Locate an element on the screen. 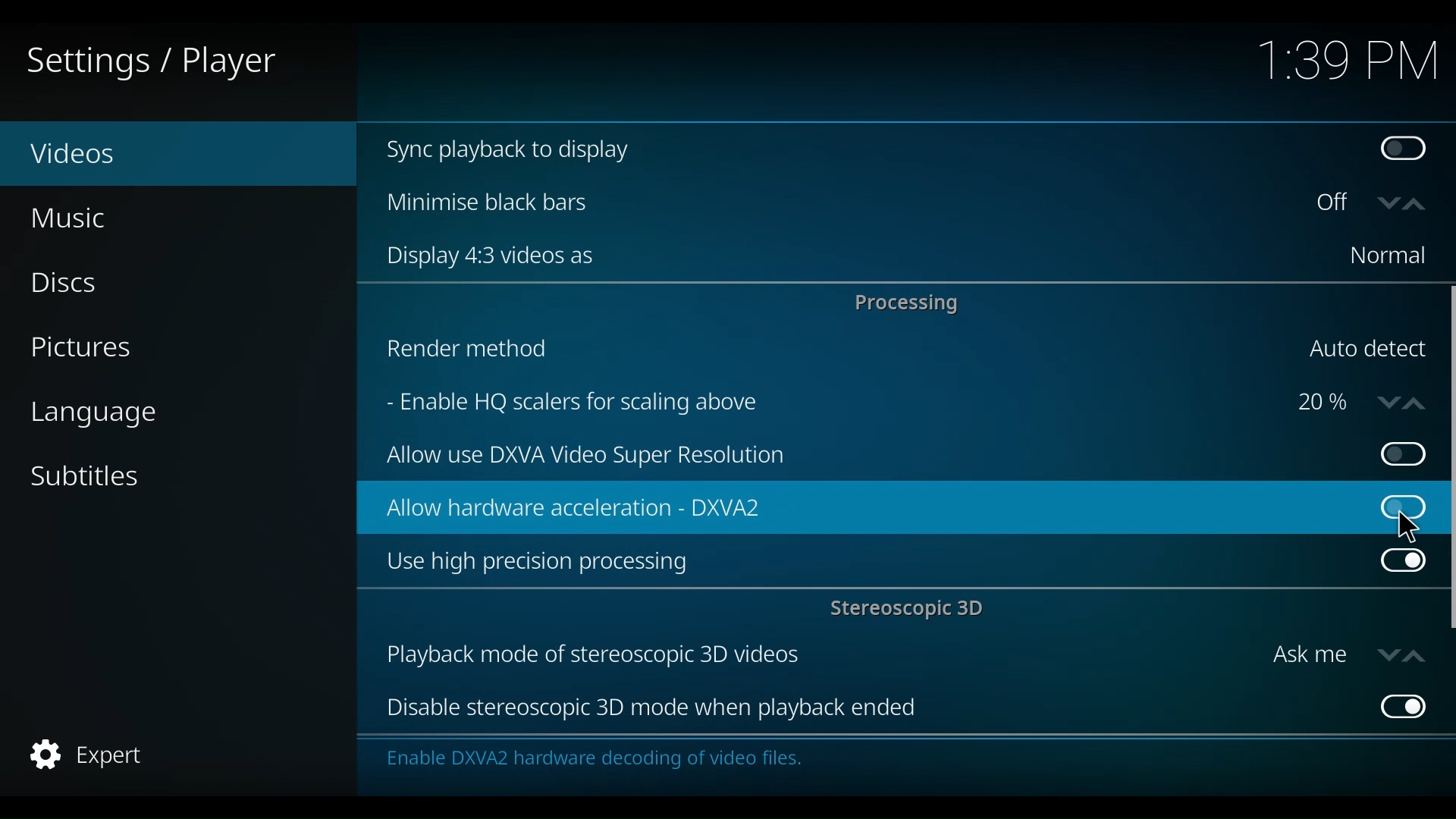 The width and height of the screenshot is (1456, 819). Normal is located at coordinates (1386, 256).